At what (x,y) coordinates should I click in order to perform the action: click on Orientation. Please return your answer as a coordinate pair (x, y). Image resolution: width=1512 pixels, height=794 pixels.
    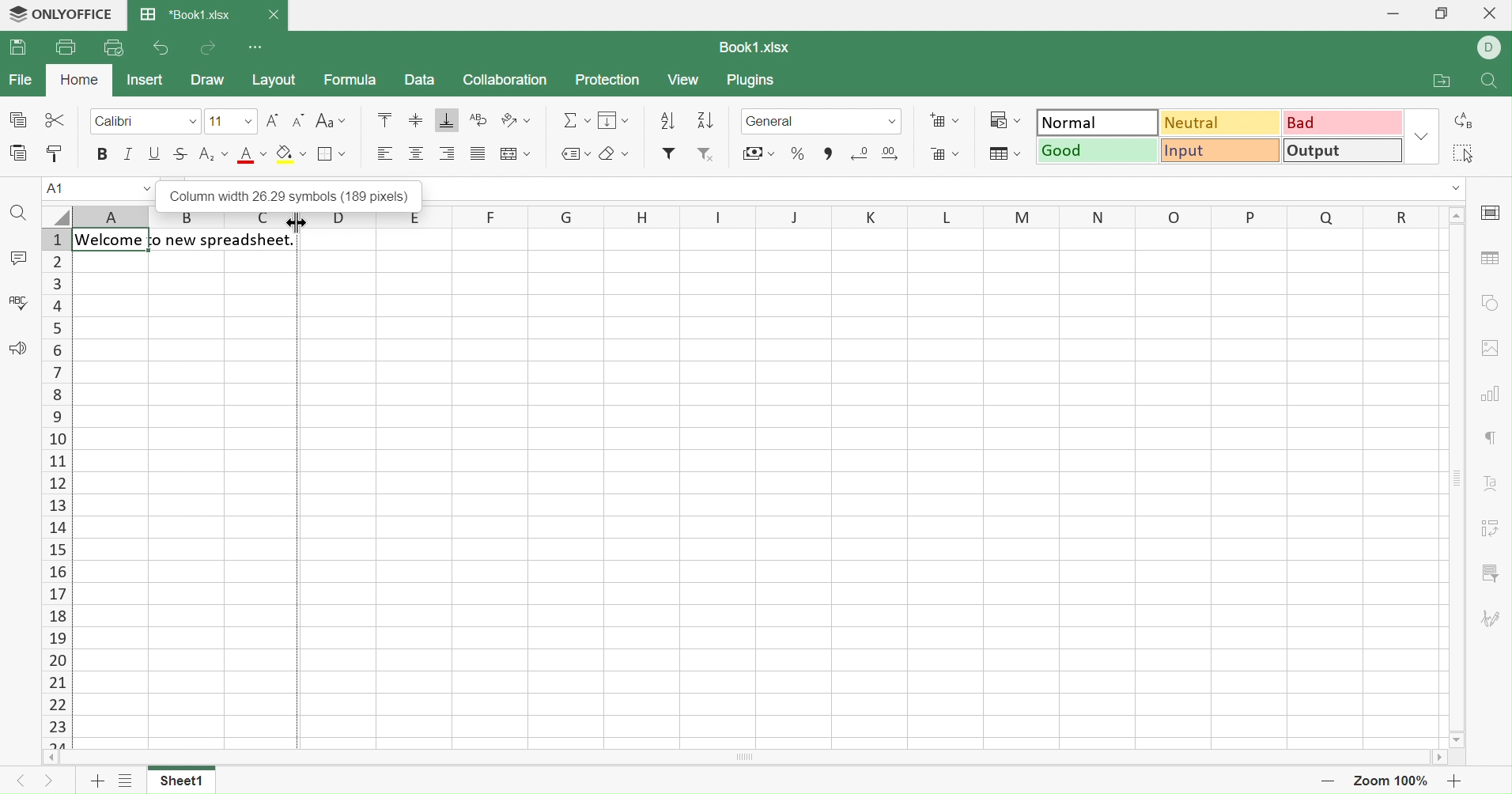
    Looking at the image, I should click on (517, 120).